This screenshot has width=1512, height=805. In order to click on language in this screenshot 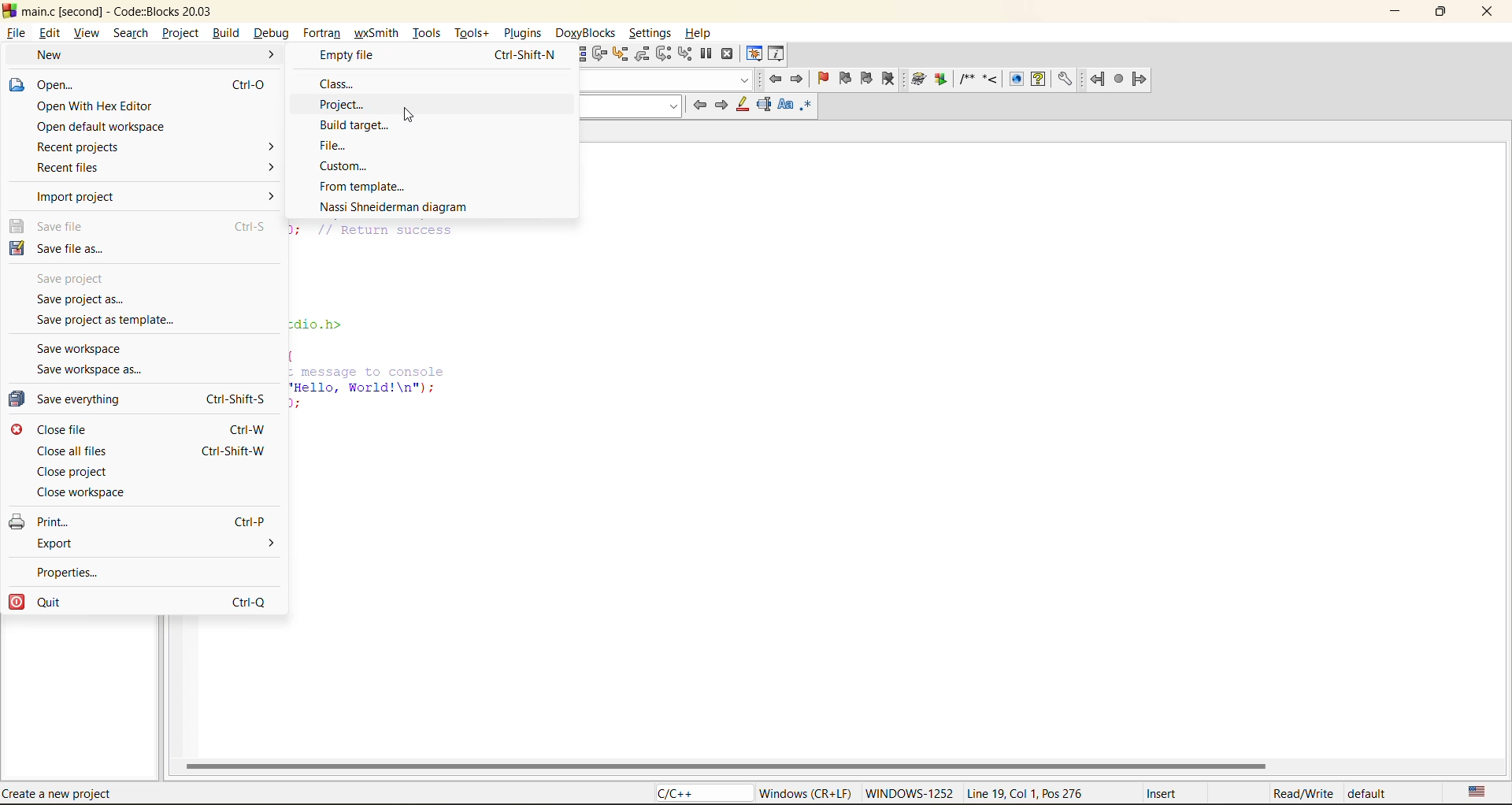, I will do `click(700, 793)`.